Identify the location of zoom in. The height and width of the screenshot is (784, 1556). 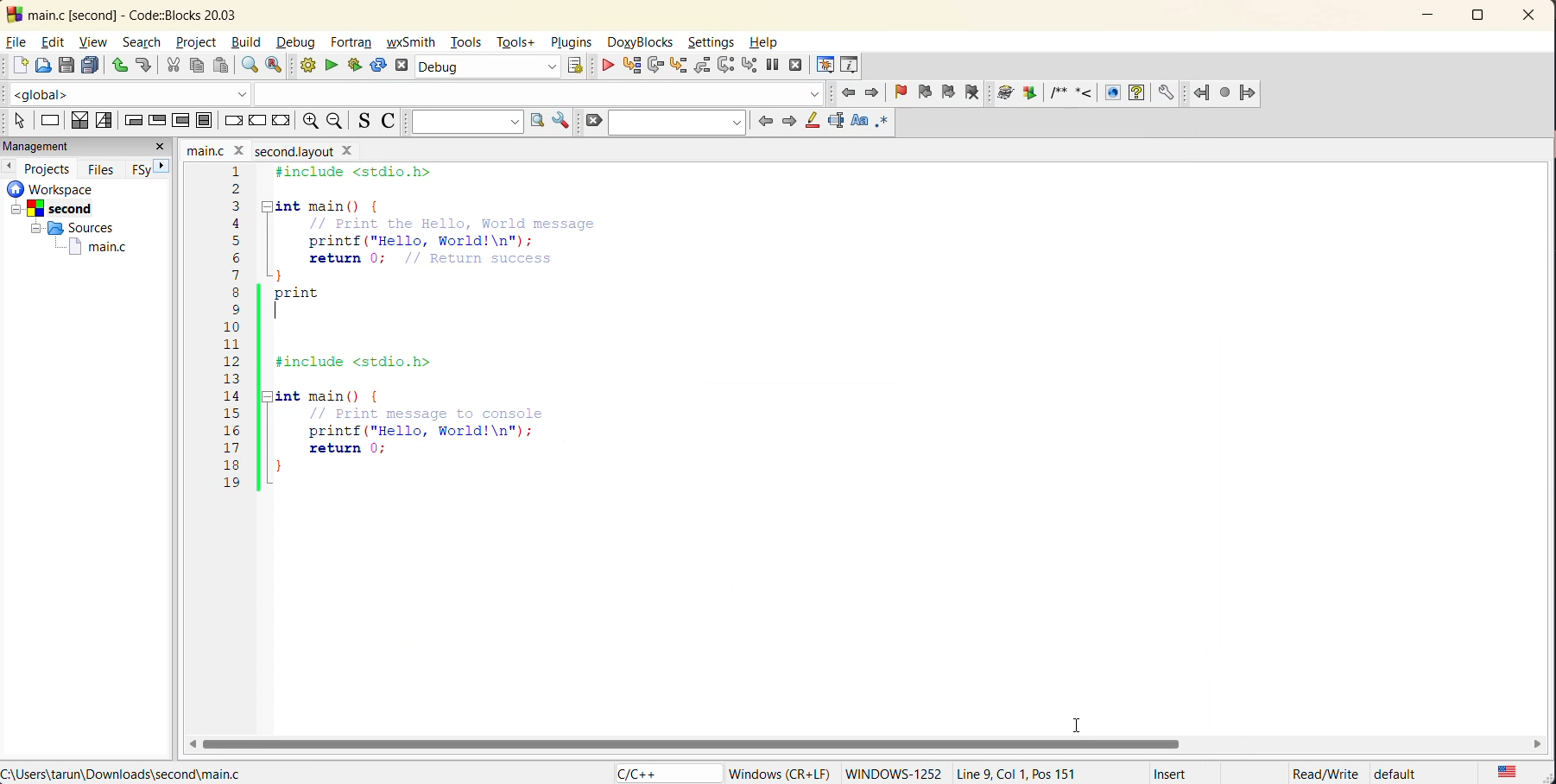
(336, 123).